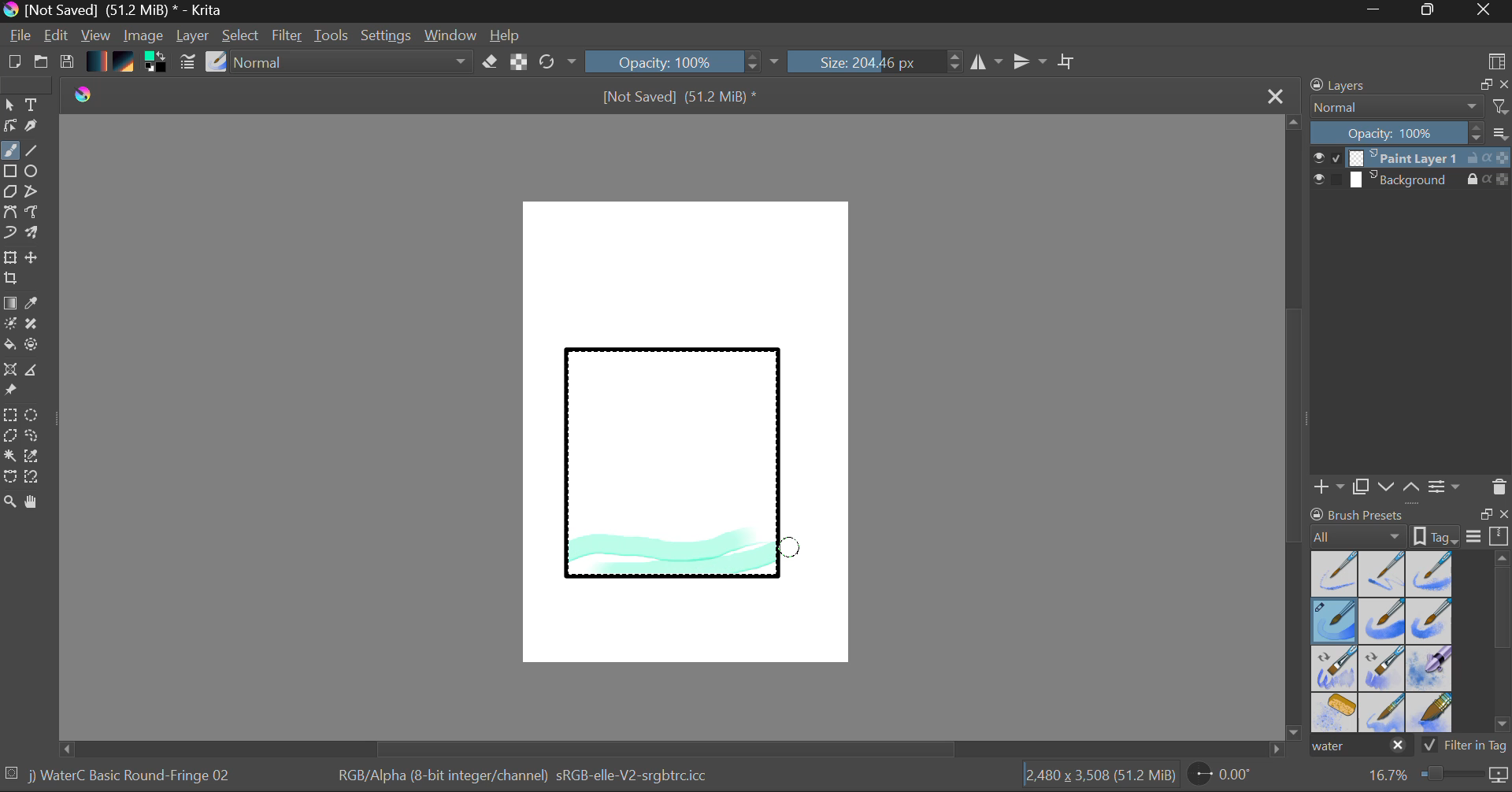  What do you see at coordinates (9, 192) in the screenshot?
I see `Polygon` at bounding box center [9, 192].